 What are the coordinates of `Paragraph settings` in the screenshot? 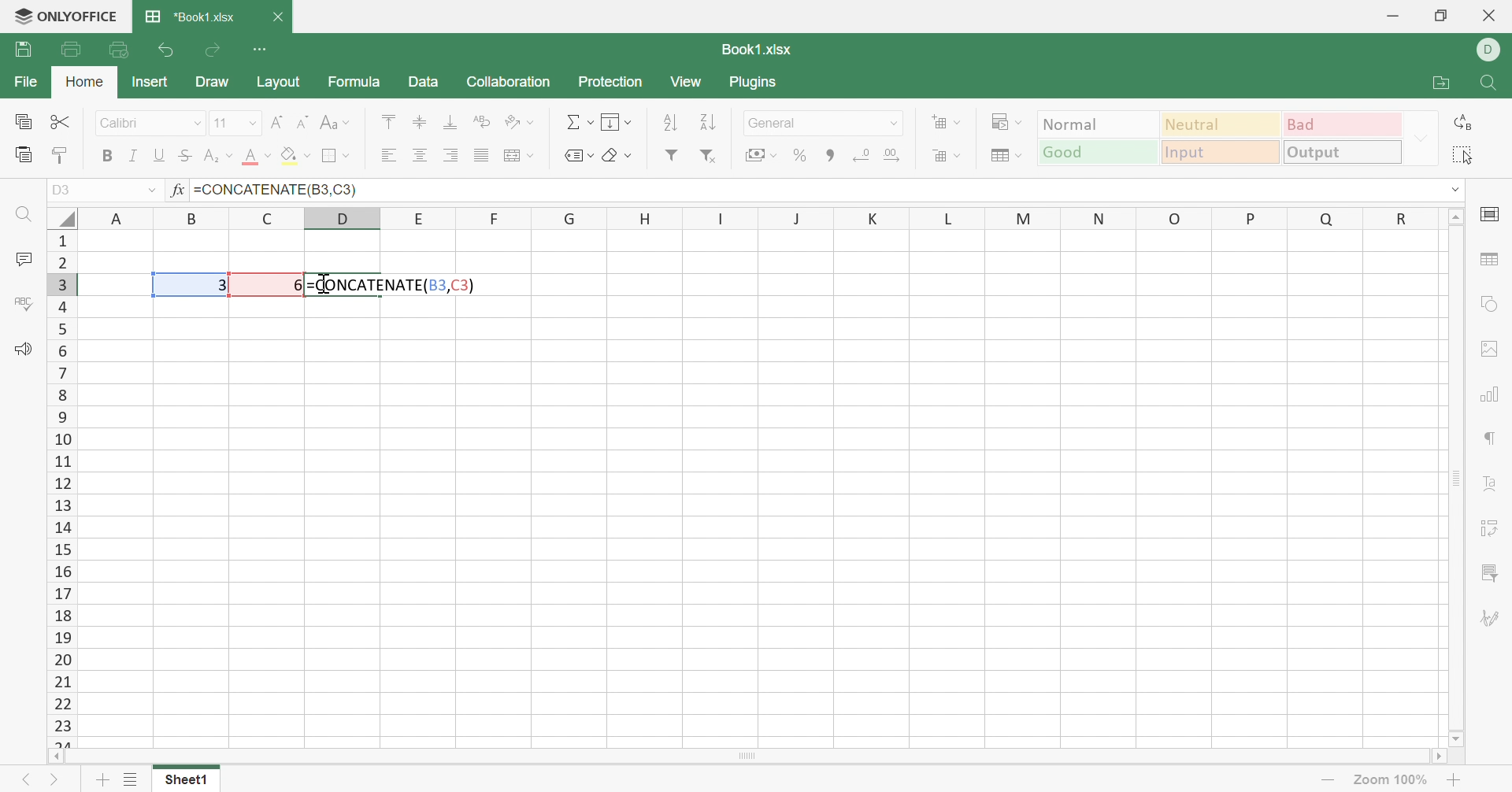 It's located at (1492, 439).